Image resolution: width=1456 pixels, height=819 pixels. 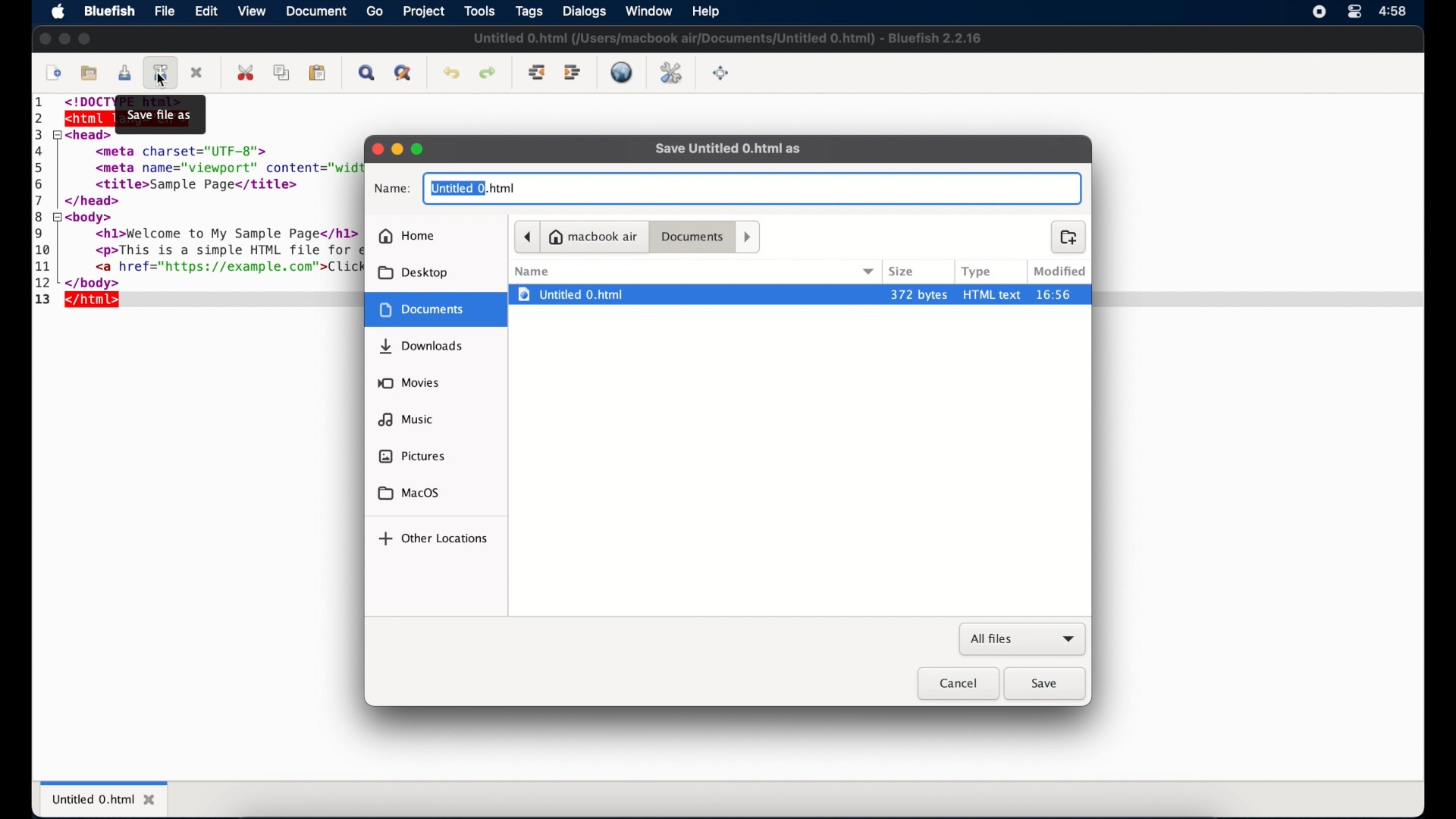 I want to click on pictures, so click(x=410, y=456).